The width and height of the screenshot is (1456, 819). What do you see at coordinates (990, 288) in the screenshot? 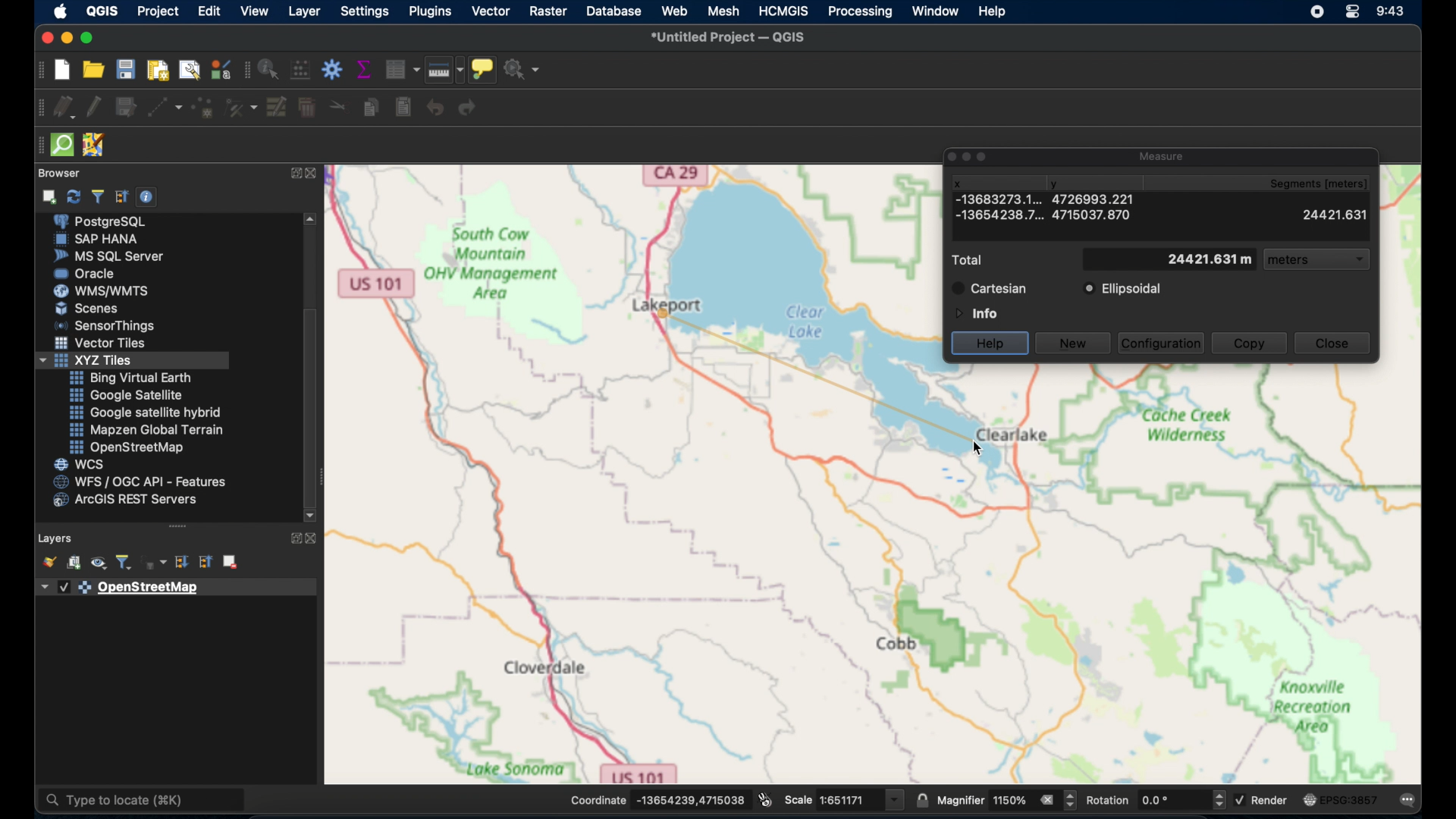
I see `cartesian radio button` at bounding box center [990, 288].